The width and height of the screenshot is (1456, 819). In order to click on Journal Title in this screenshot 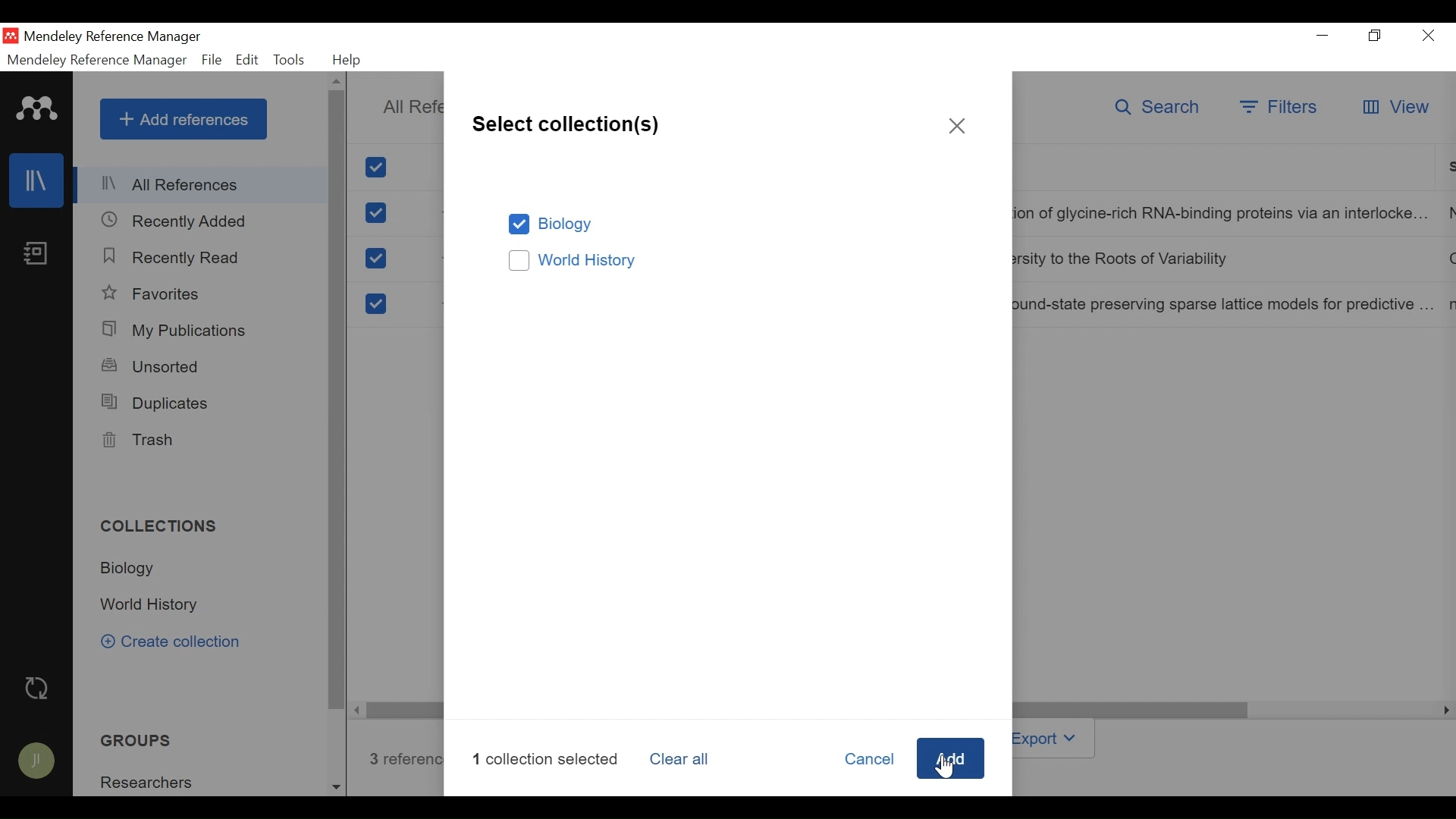, I will do `click(1225, 260)`.